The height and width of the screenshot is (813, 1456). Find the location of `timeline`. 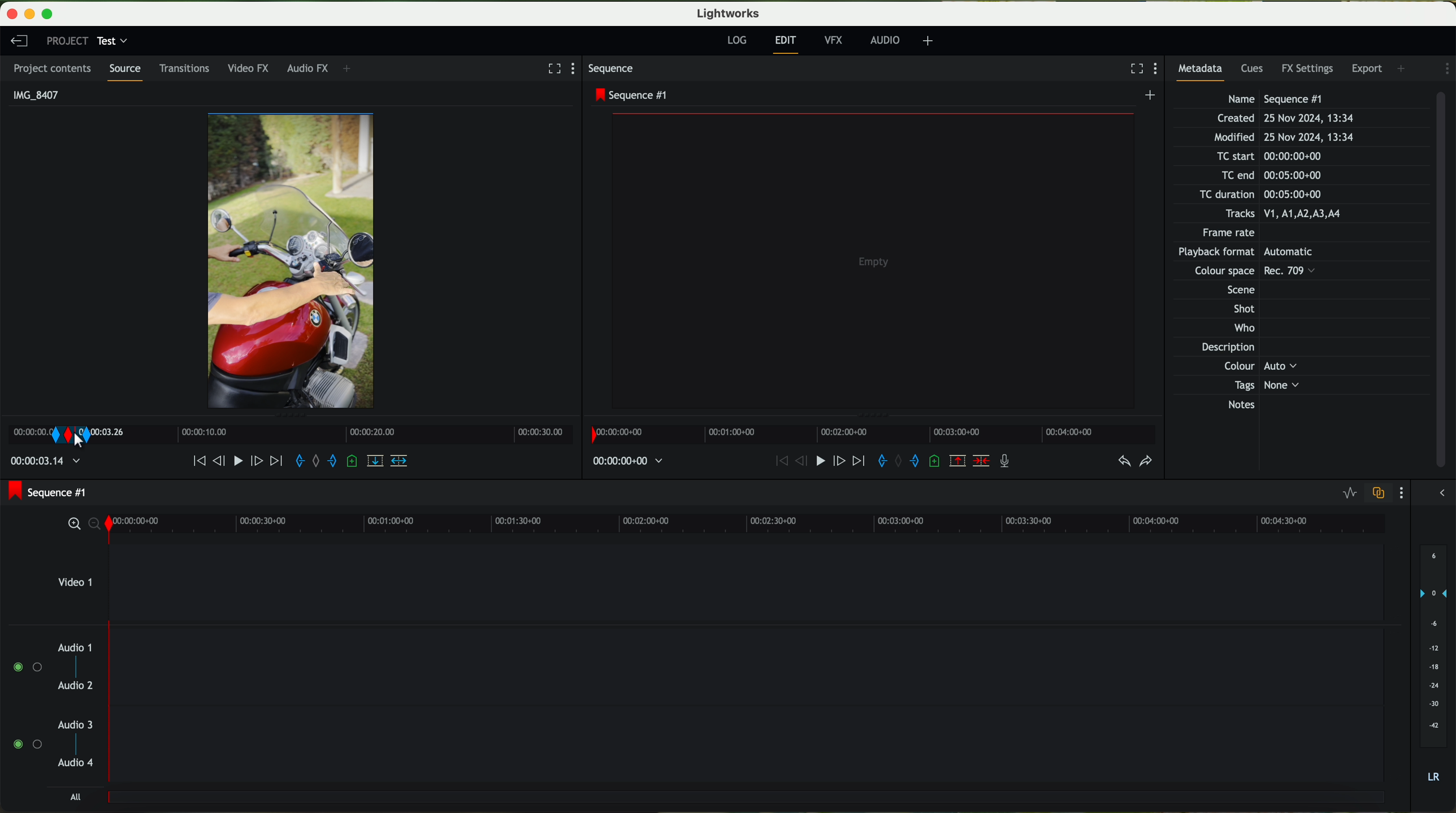

timeline is located at coordinates (872, 434).